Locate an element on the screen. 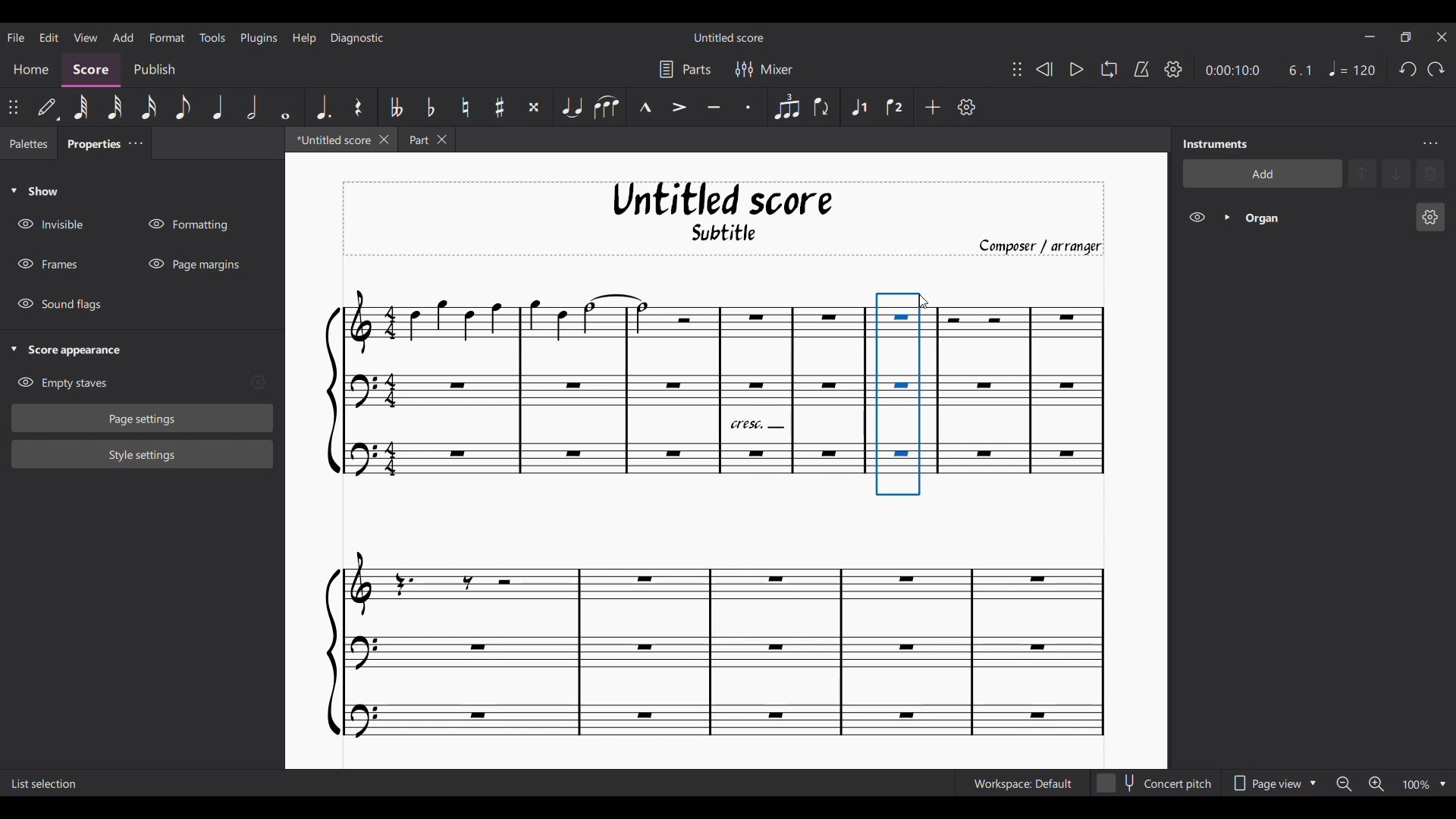 The width and height of the screenshot is (1456, 819). Toggle nature is located at coordinates (464, 107).